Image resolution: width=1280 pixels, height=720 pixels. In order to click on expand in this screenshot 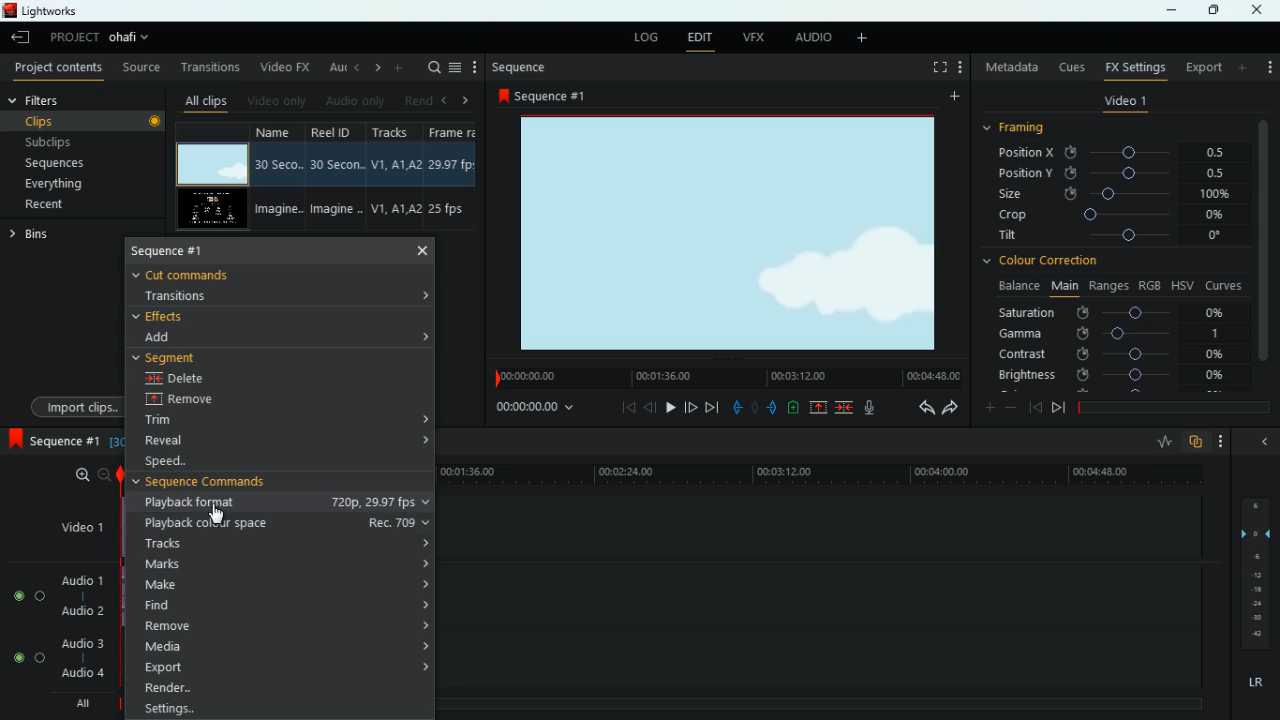, I will do `click(422, 419)`.